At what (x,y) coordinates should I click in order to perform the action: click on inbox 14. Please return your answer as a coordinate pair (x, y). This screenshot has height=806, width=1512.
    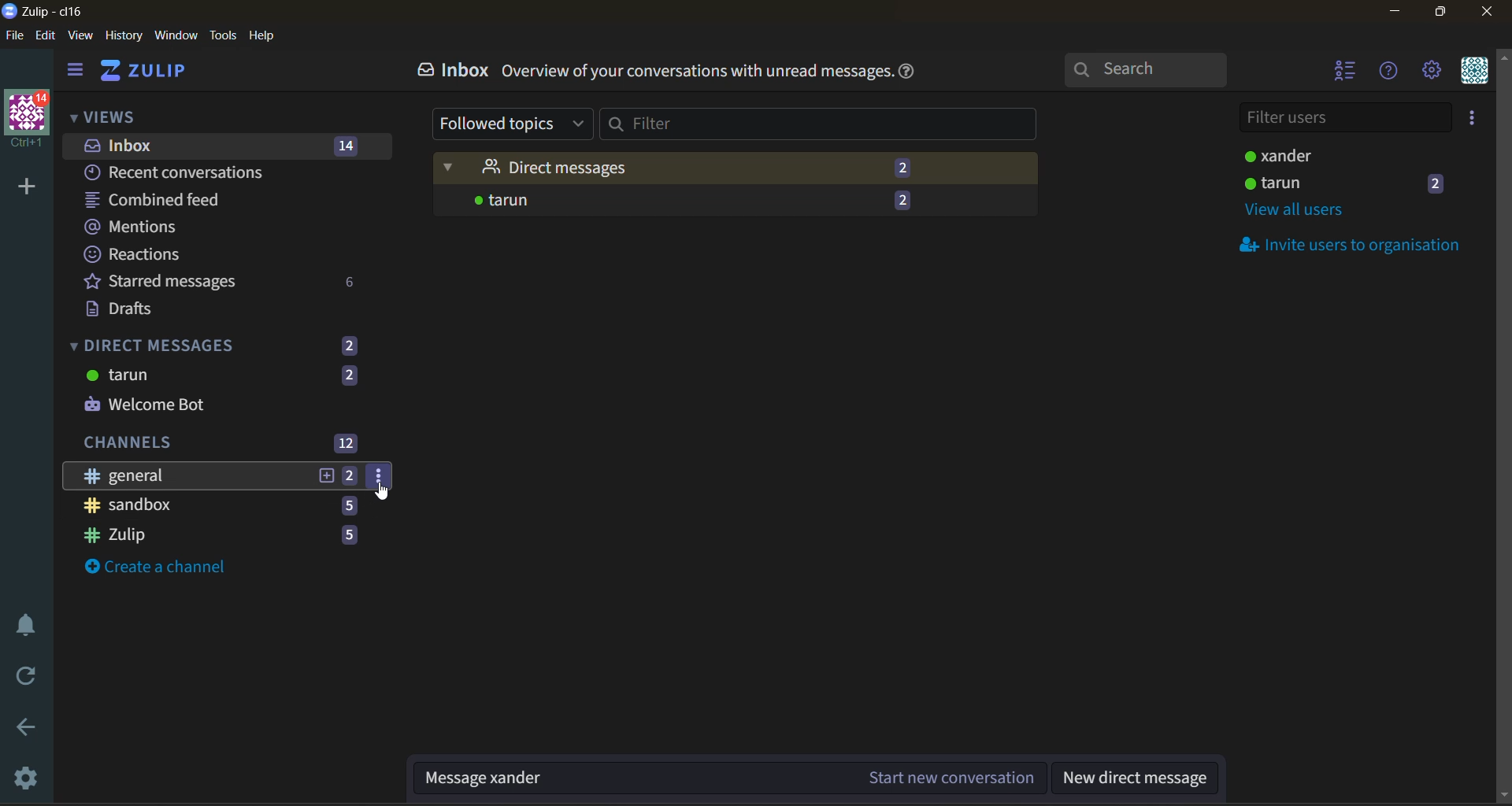
    Looking at the image, I should click on (217, 144).